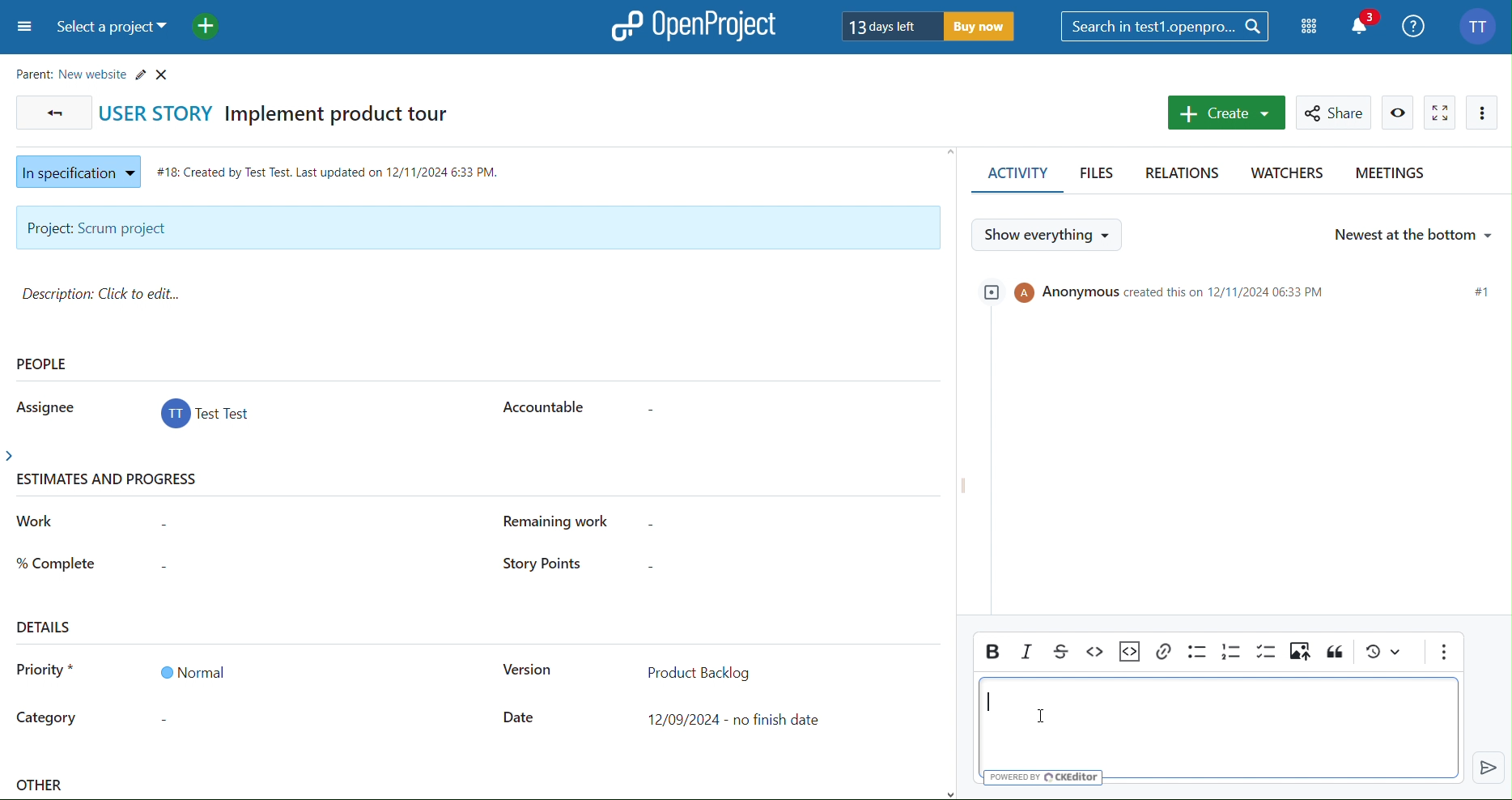 This screenshot has height=800, width=1512. What do you see at coordinates (1232, 653) in the screenshot?
I see `Number List` at bounding box center [1232, 653].